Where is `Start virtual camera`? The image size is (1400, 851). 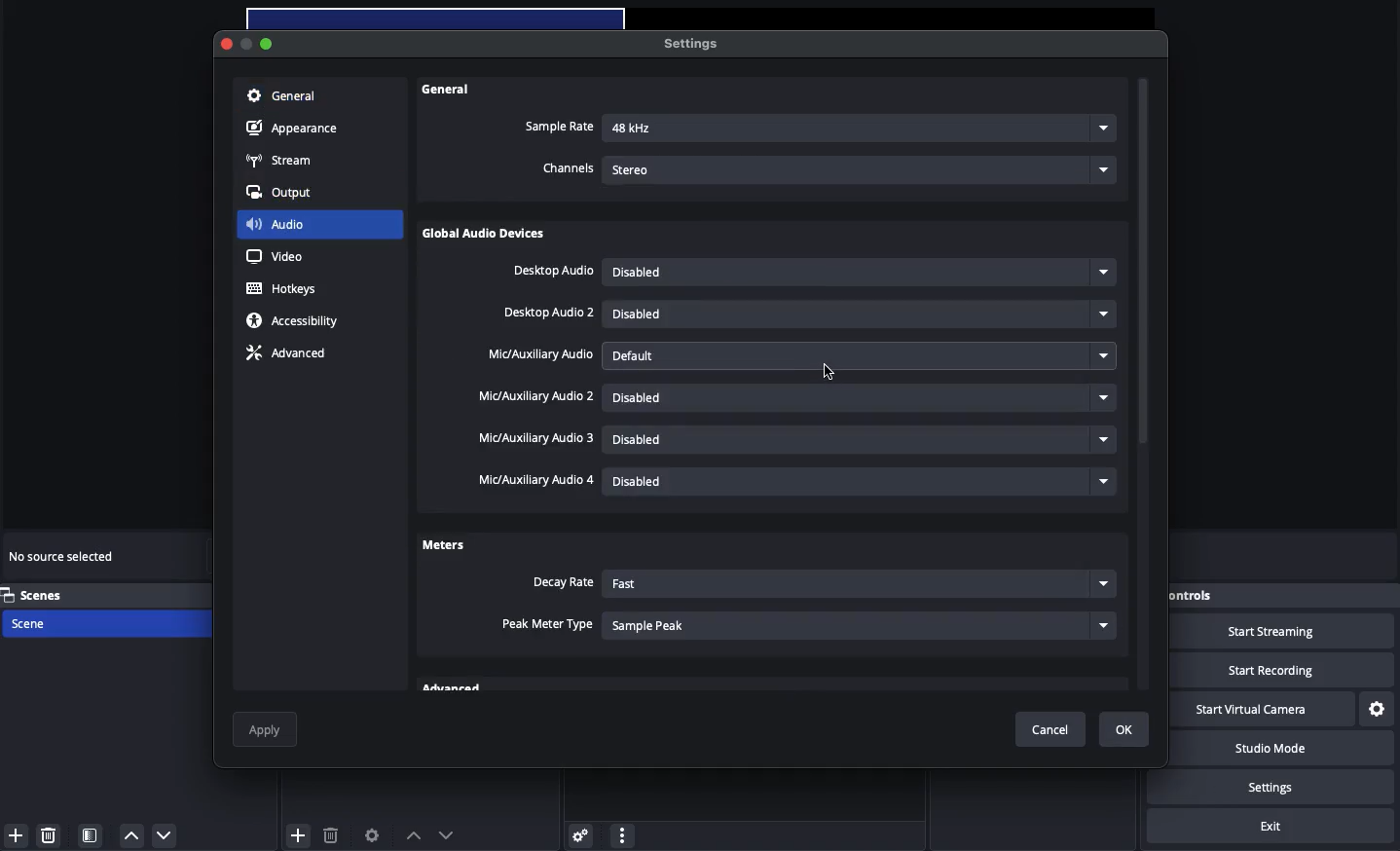
Start virtual camera is located at coordinates (1261, 710).